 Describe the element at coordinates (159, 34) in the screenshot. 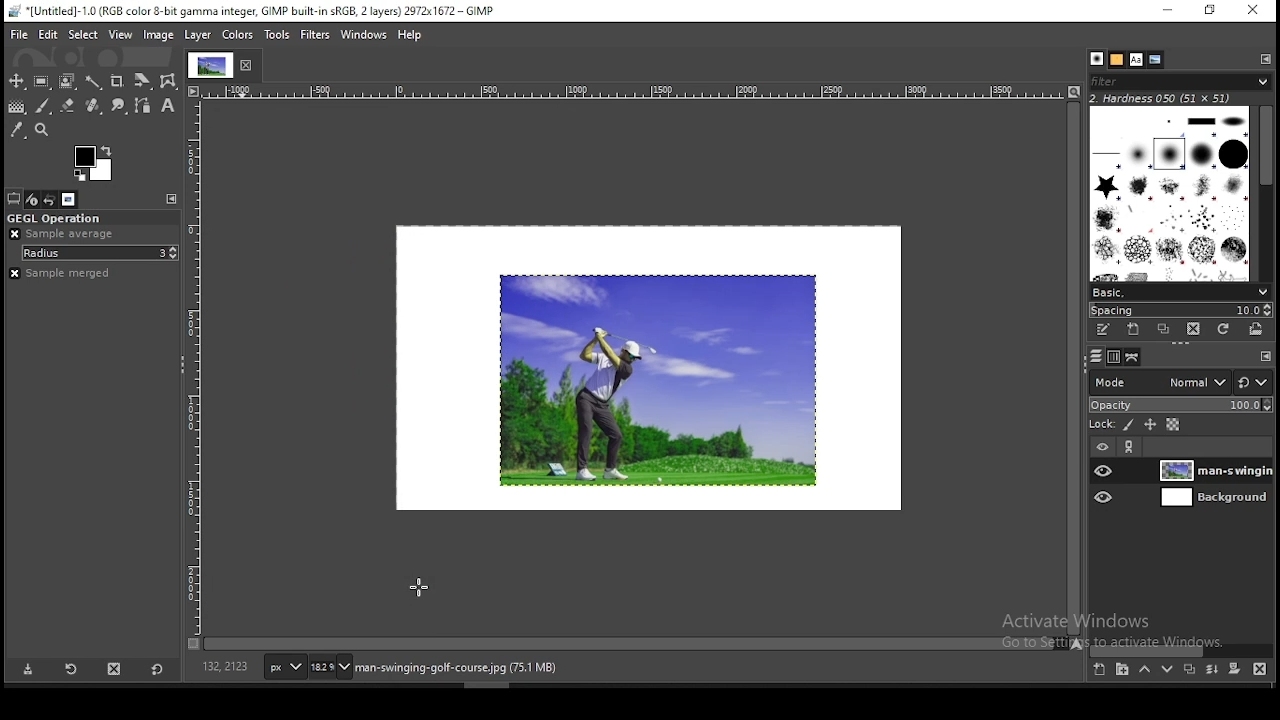

I see `image` at that location.